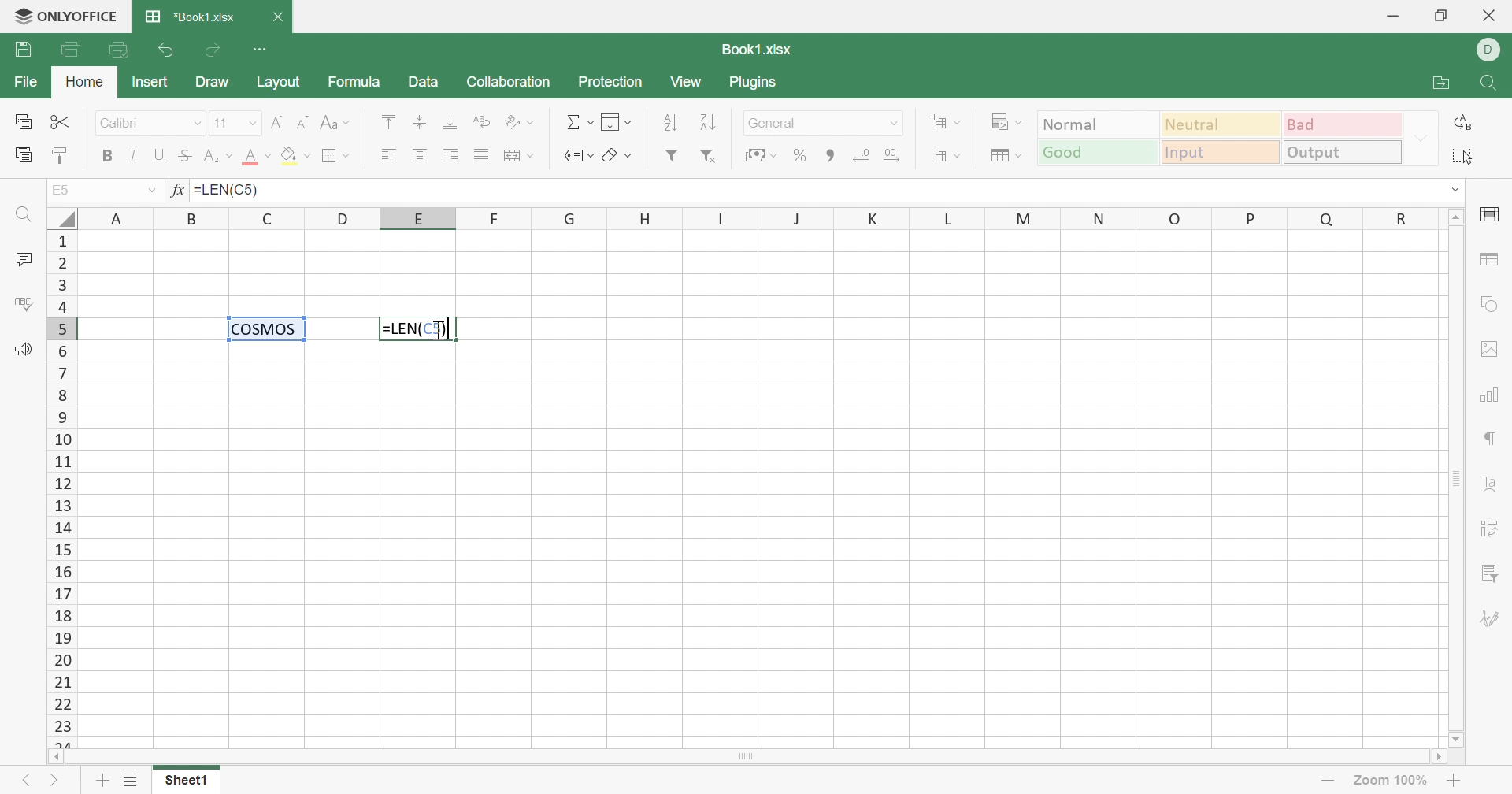 This screenshot has width=1512, height=794. Describe the element at coordinates (1463, 121) in the screenshot. I see `Replace` at that location.